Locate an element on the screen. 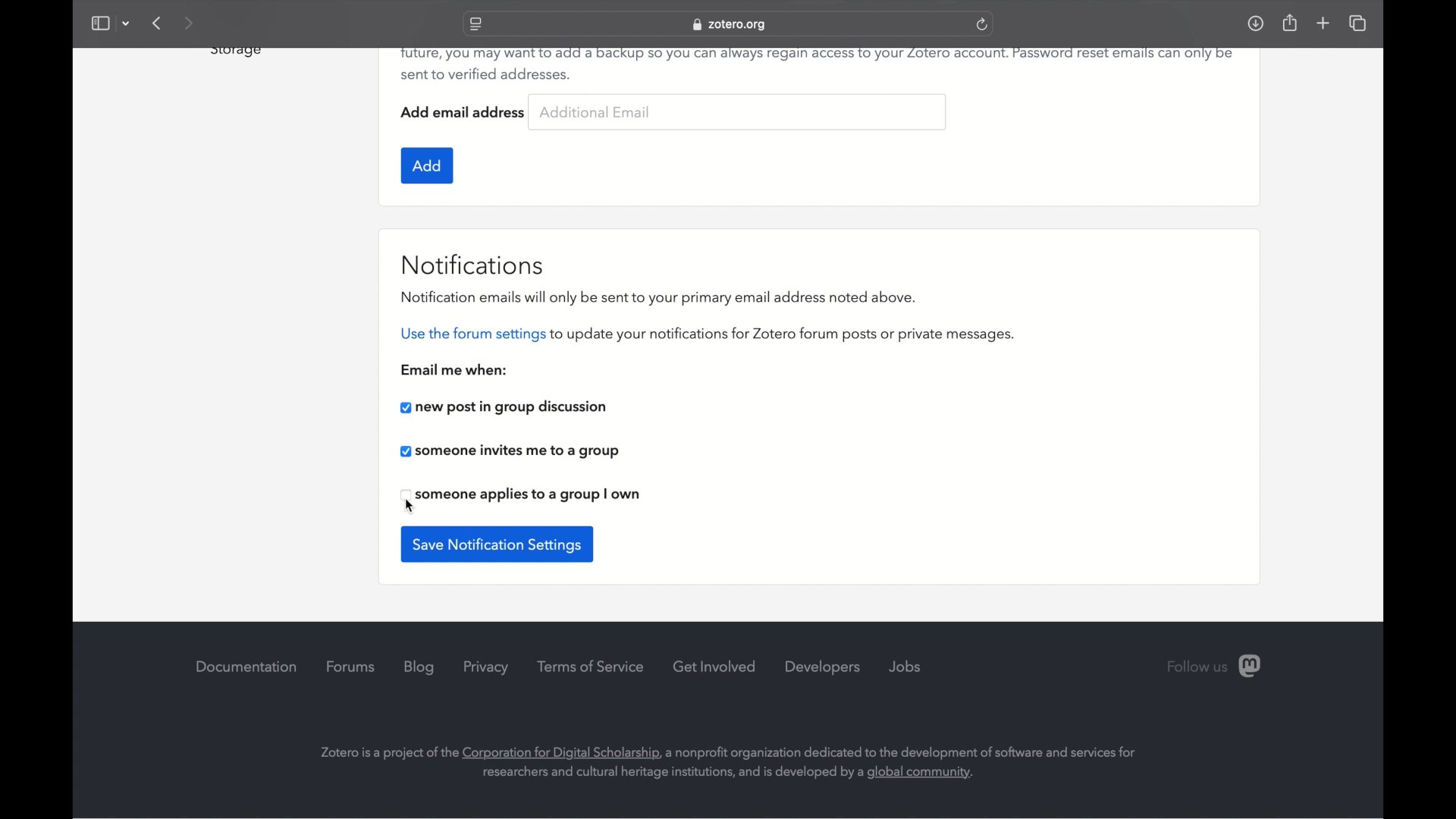  email me when: is located at coordinates (455, 369).